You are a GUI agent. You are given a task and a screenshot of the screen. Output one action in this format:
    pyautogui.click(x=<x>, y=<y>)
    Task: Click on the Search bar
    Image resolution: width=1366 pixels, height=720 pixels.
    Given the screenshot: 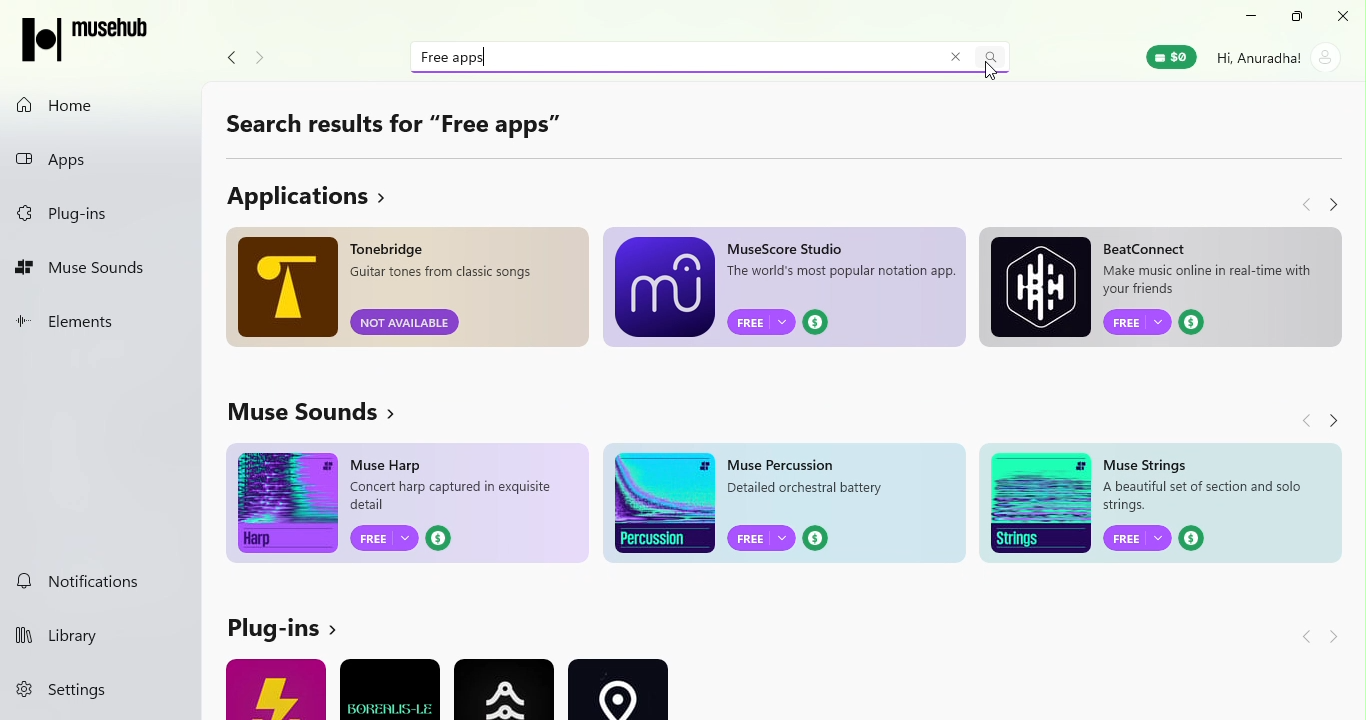 What is the action you would take?
    pyautogui.click(x=715, y=57)
    